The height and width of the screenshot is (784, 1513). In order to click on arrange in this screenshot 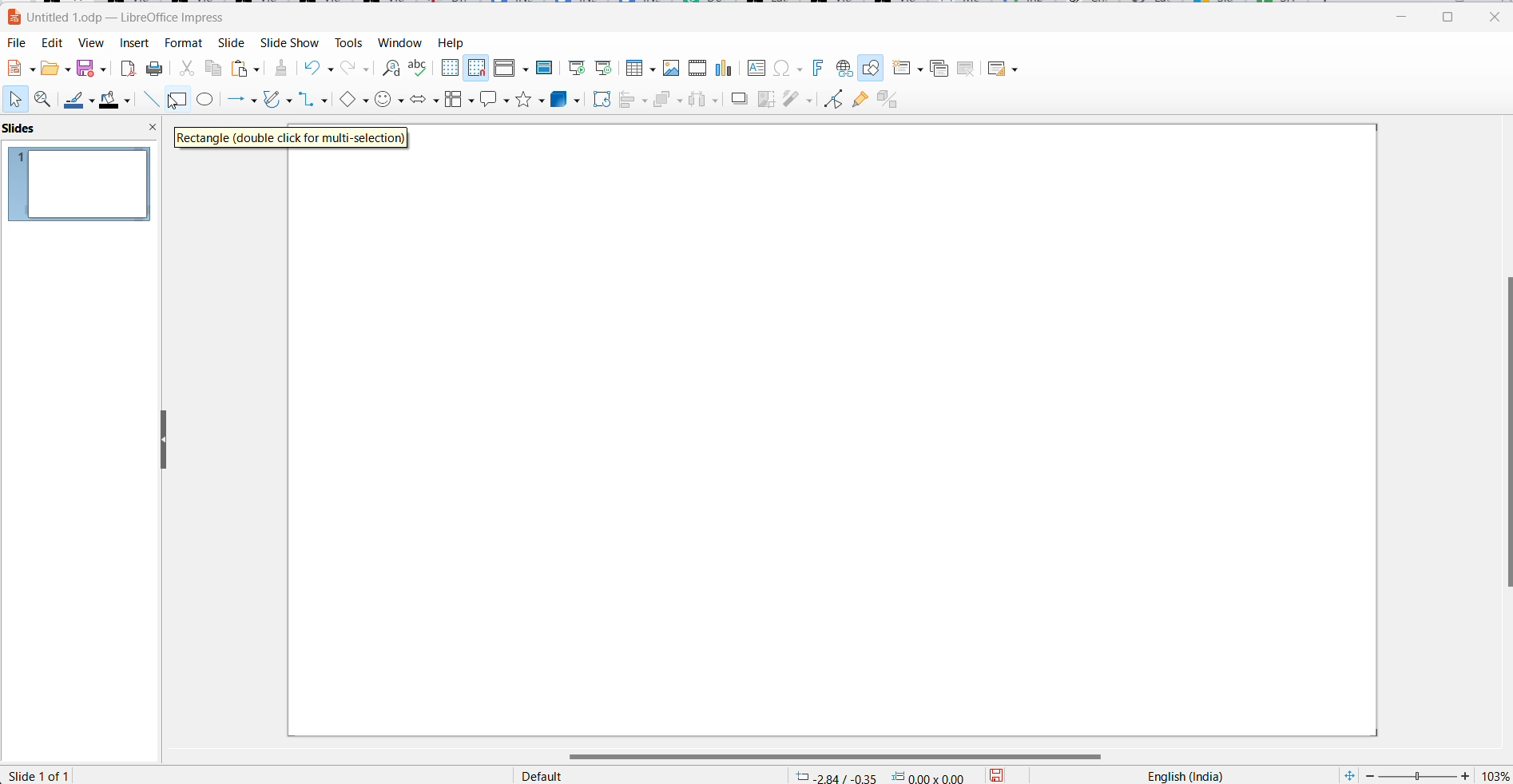, I will do `click(668, 101)`.